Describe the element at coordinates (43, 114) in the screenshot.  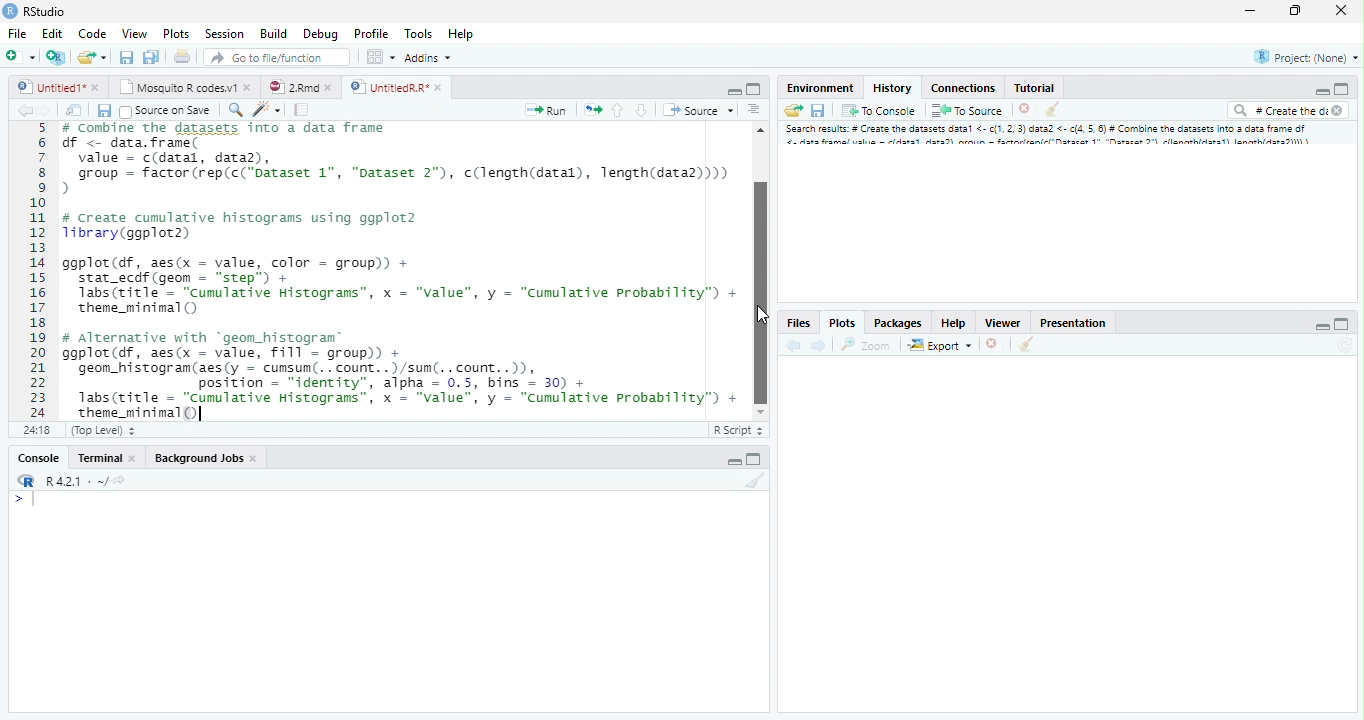
I see `Next` at that location.